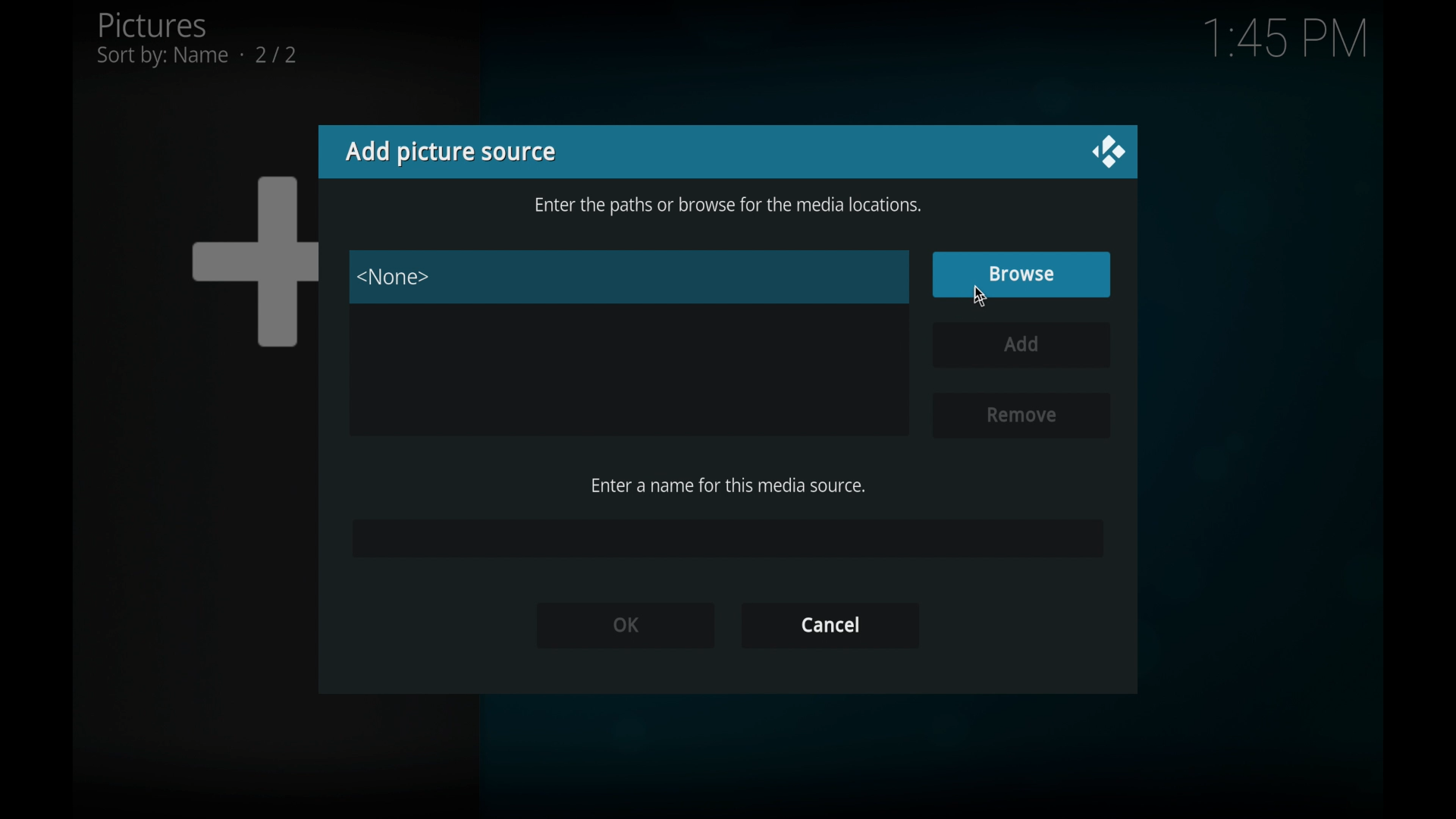  What do you see at coordinates (1018, 416) in the screenshot?
I see `remove` at bounding box center [1018, 416].